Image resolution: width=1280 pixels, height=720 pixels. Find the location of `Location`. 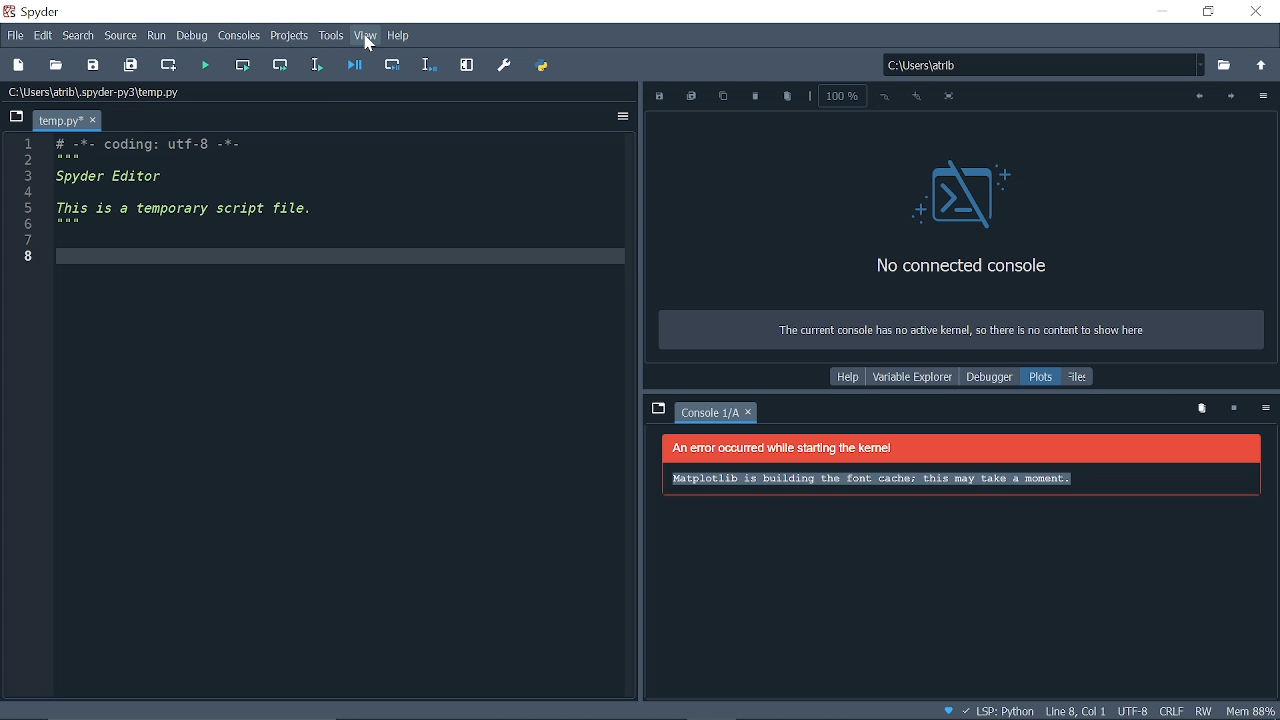

Location is located at coordinates (105, 92).